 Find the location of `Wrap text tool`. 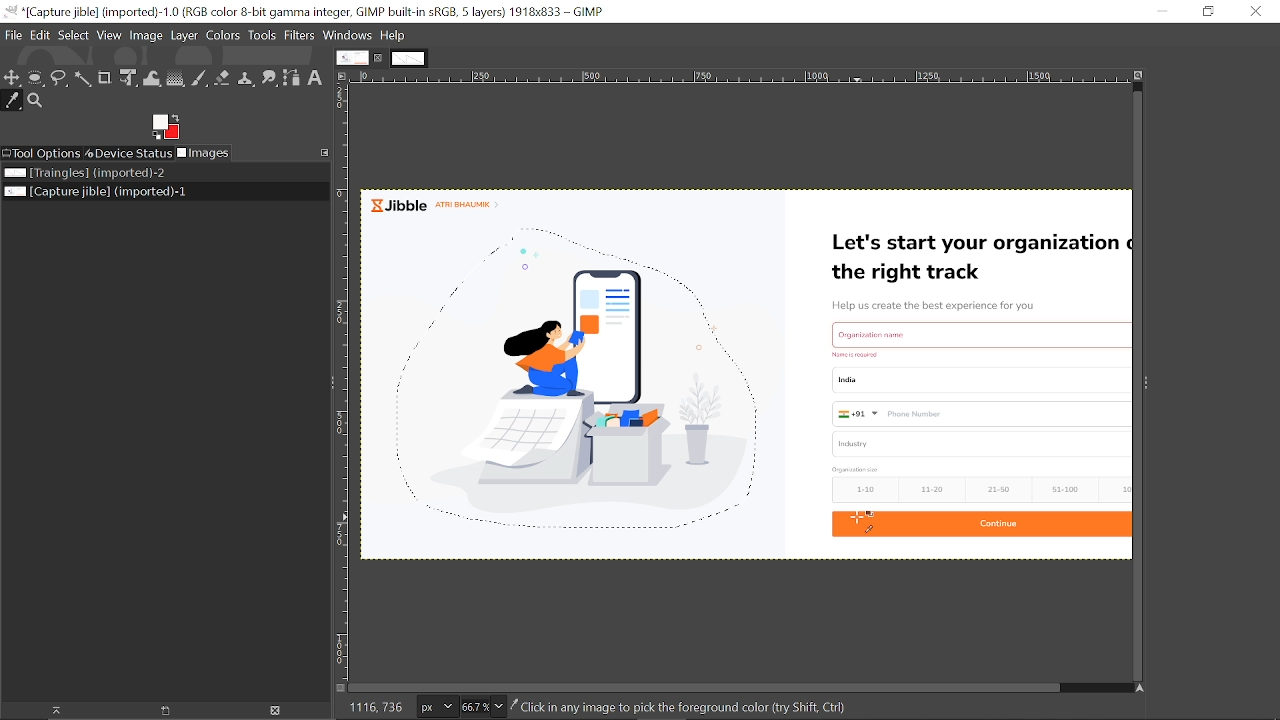

Wrap text tool is located at coordinates (152, 79).